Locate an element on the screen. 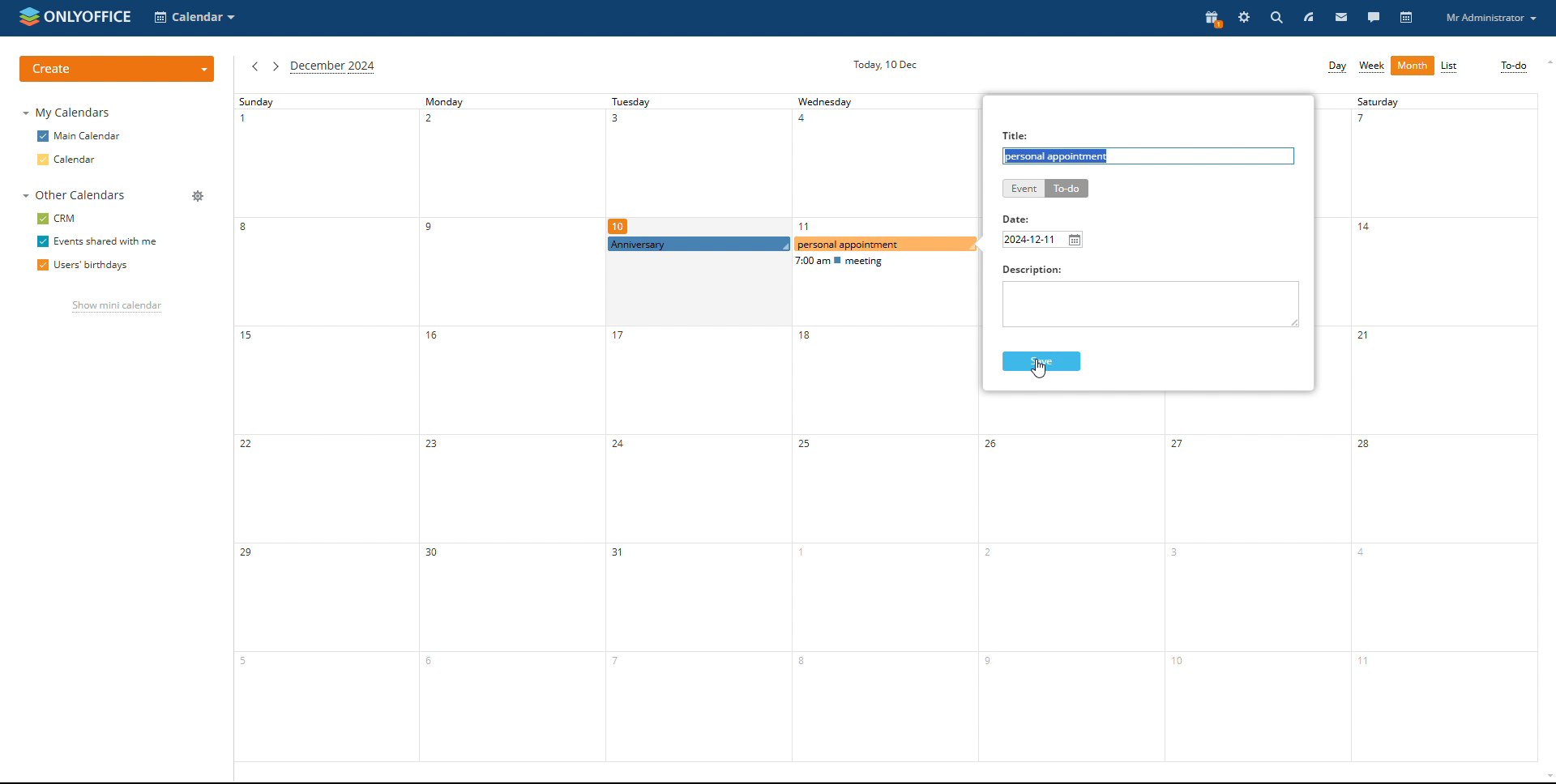  saturday is located at coordinates (1444, 428).